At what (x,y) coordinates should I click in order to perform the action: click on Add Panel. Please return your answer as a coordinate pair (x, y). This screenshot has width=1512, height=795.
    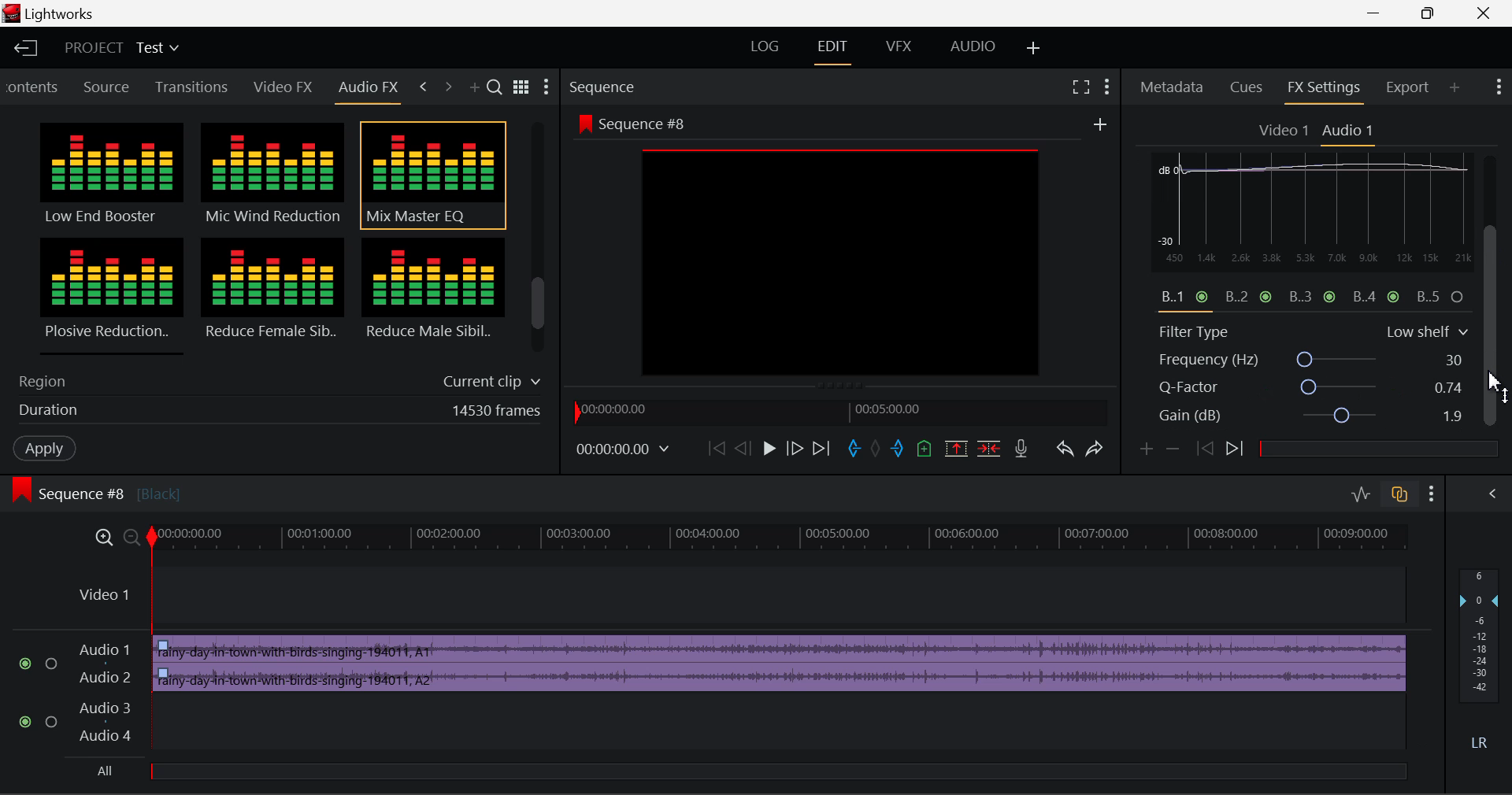
    Looking at the image, I should click on (1455, 89).